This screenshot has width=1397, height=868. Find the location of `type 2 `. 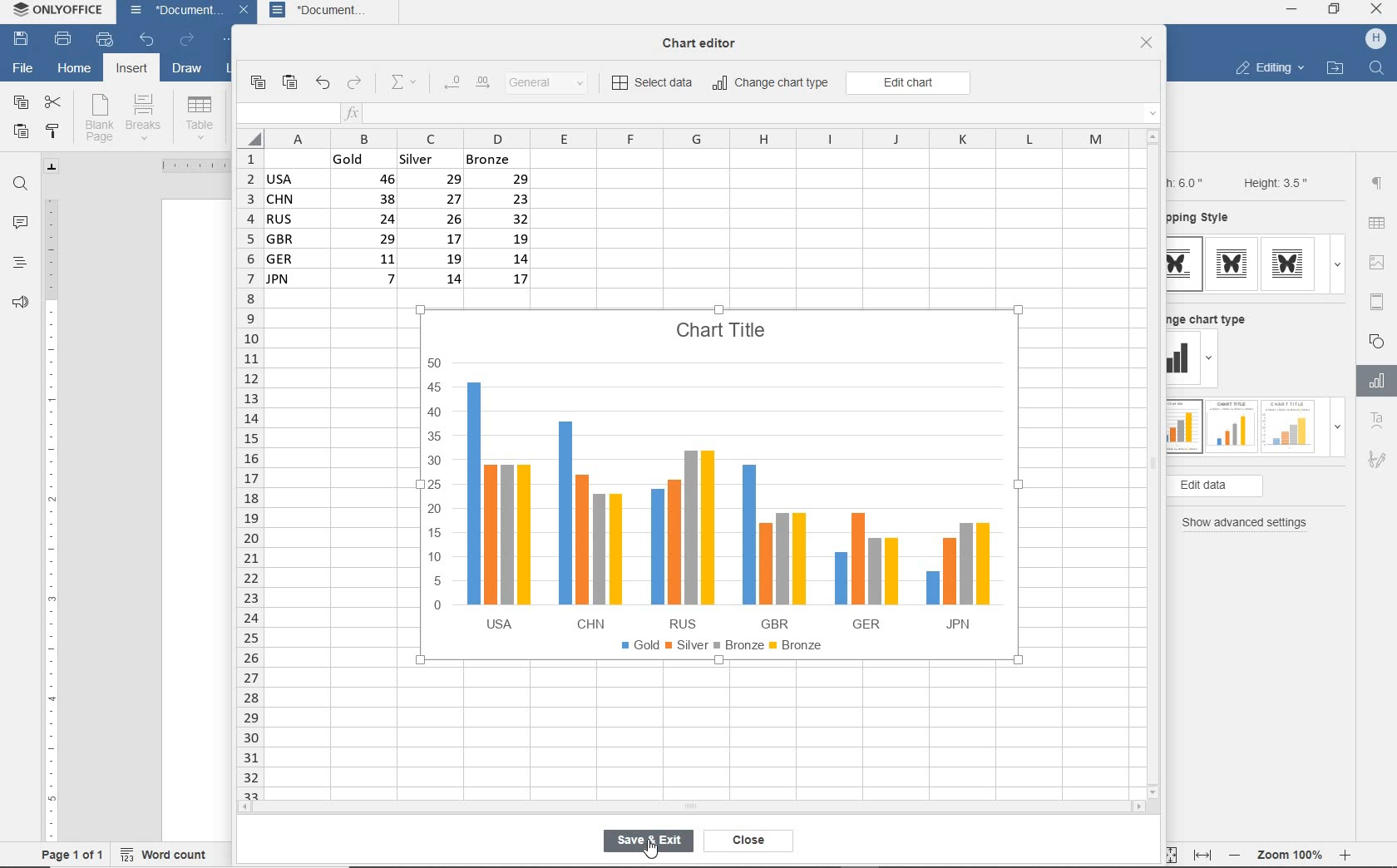

type 2  is located at coordinates (1229, 425).